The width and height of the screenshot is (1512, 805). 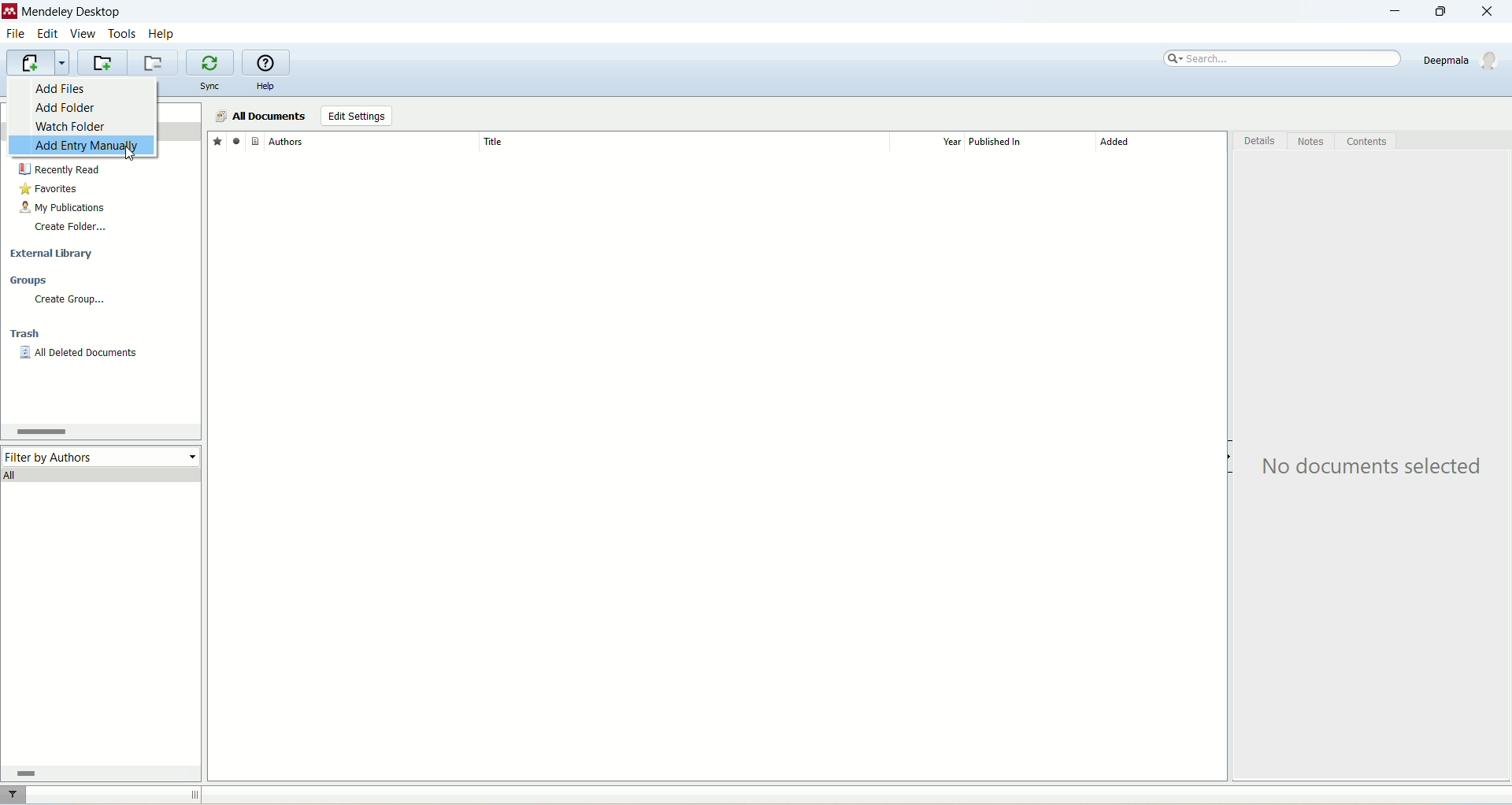 I want to click on published in, so click(x=1024, y=142).